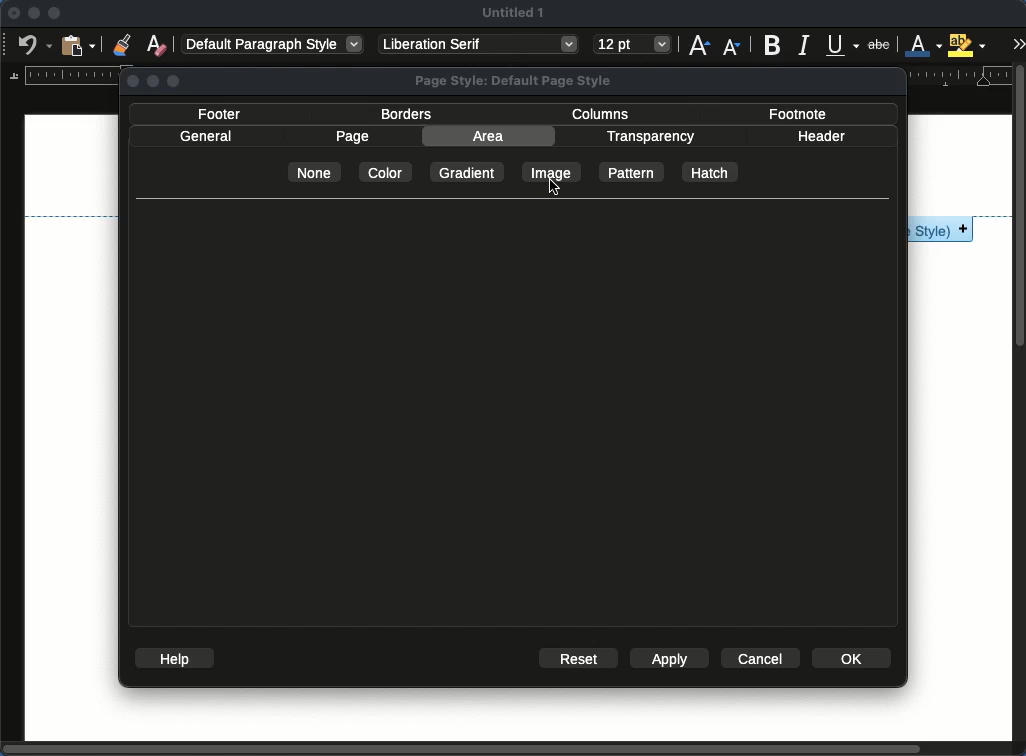 The width and height of the screenshot is (1026, 756). What do you see at coordinates (700, 45) in the screenshot?
I see `increase` at bounding box center [700, 45].